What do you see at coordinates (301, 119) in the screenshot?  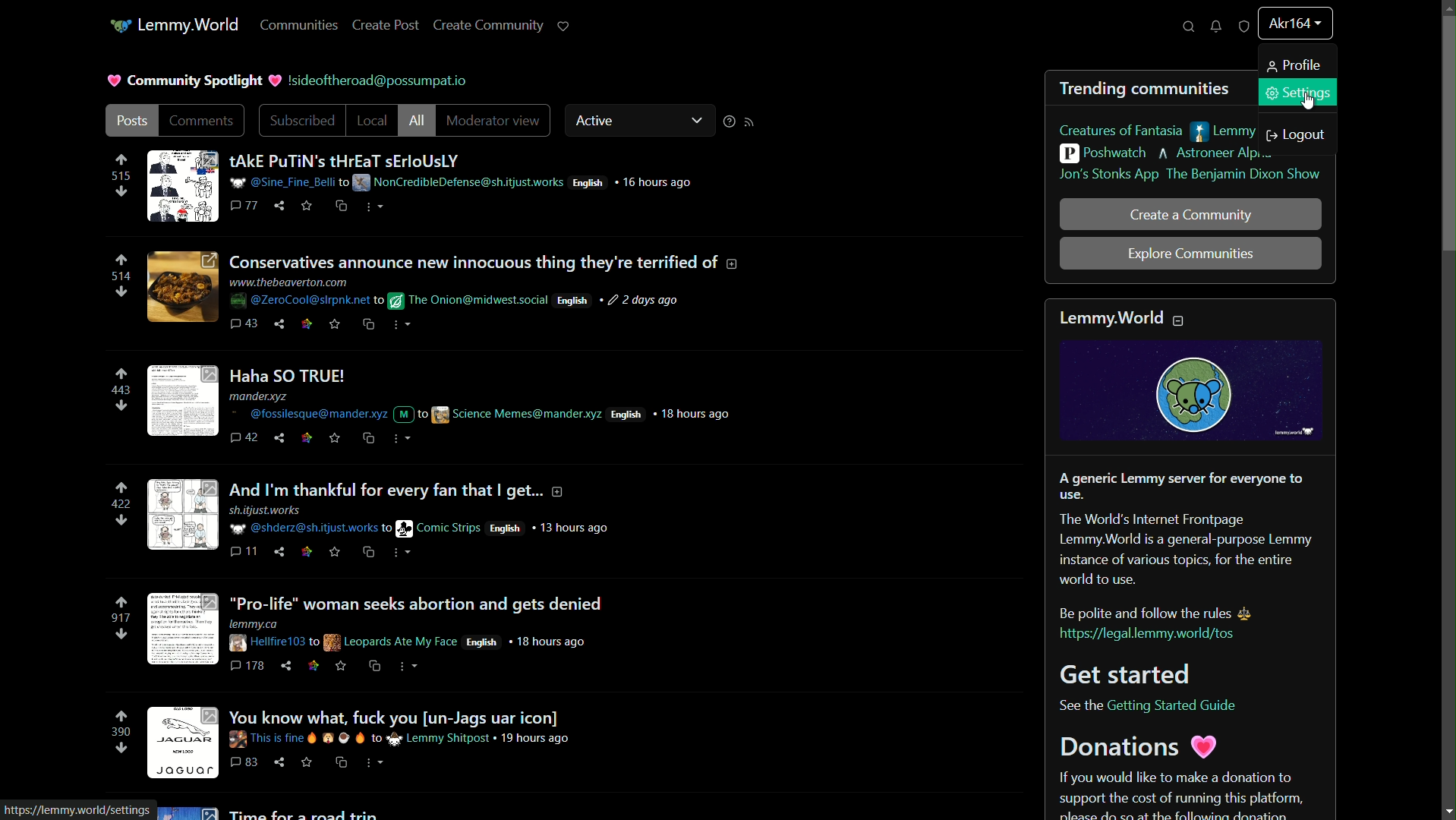 I see `subscribed` at bounding box center [301, 119].